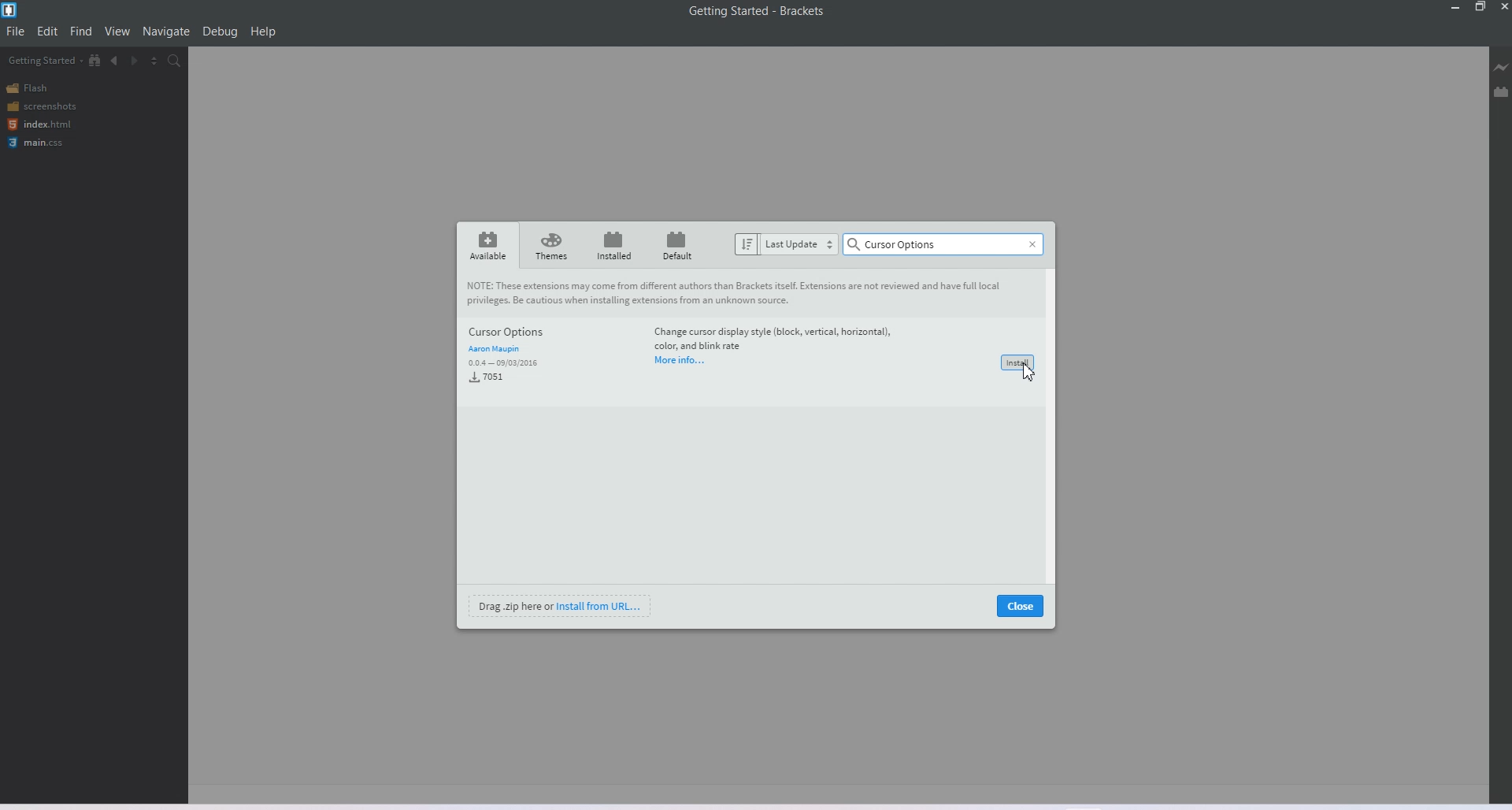  What do you see at coordinates (263, 32) in the screenshot?
I see `Help` at bounding box center [263, 32].